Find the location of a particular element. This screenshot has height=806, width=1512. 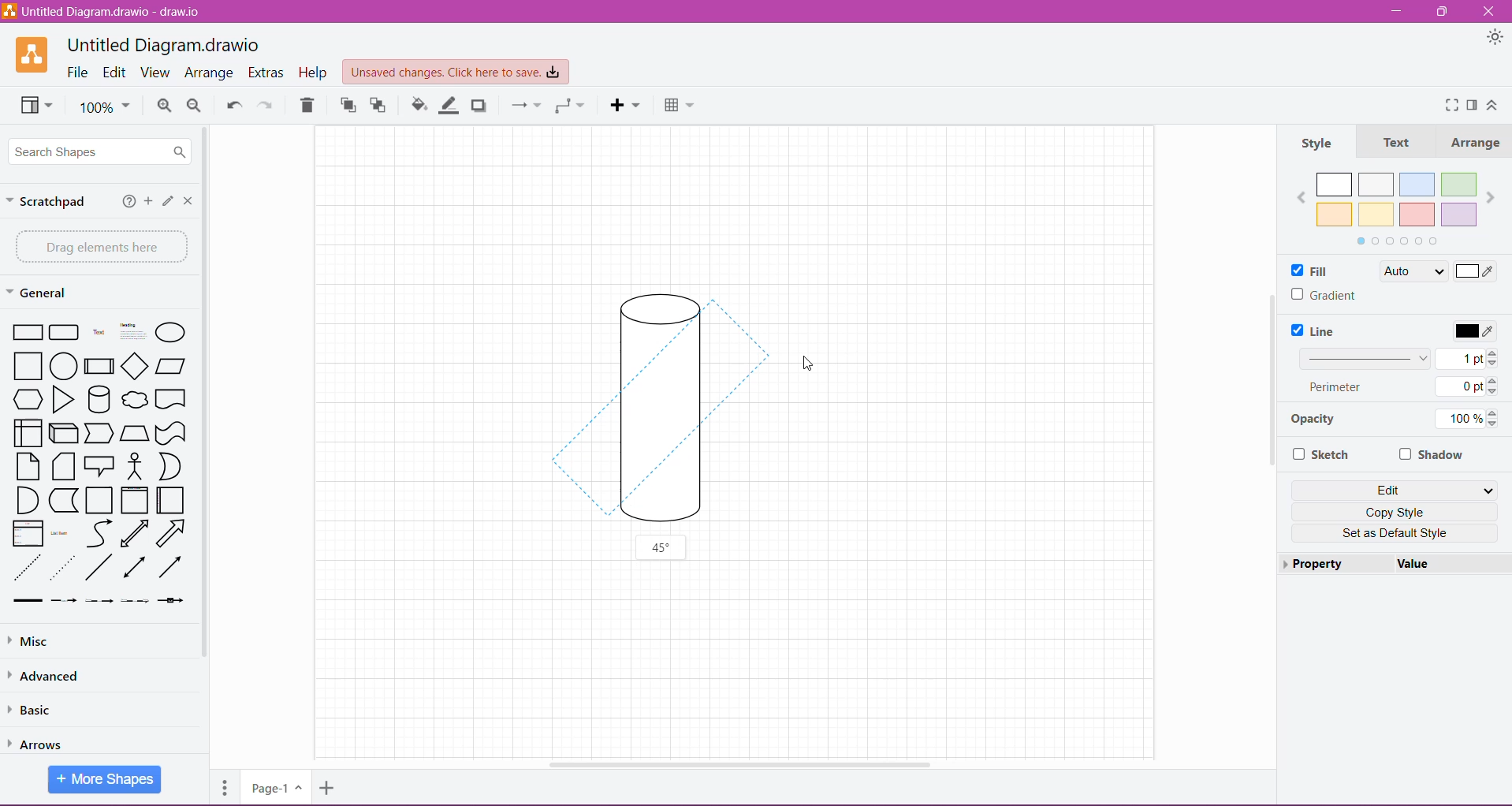

Help is located at coordinates (314, 73).